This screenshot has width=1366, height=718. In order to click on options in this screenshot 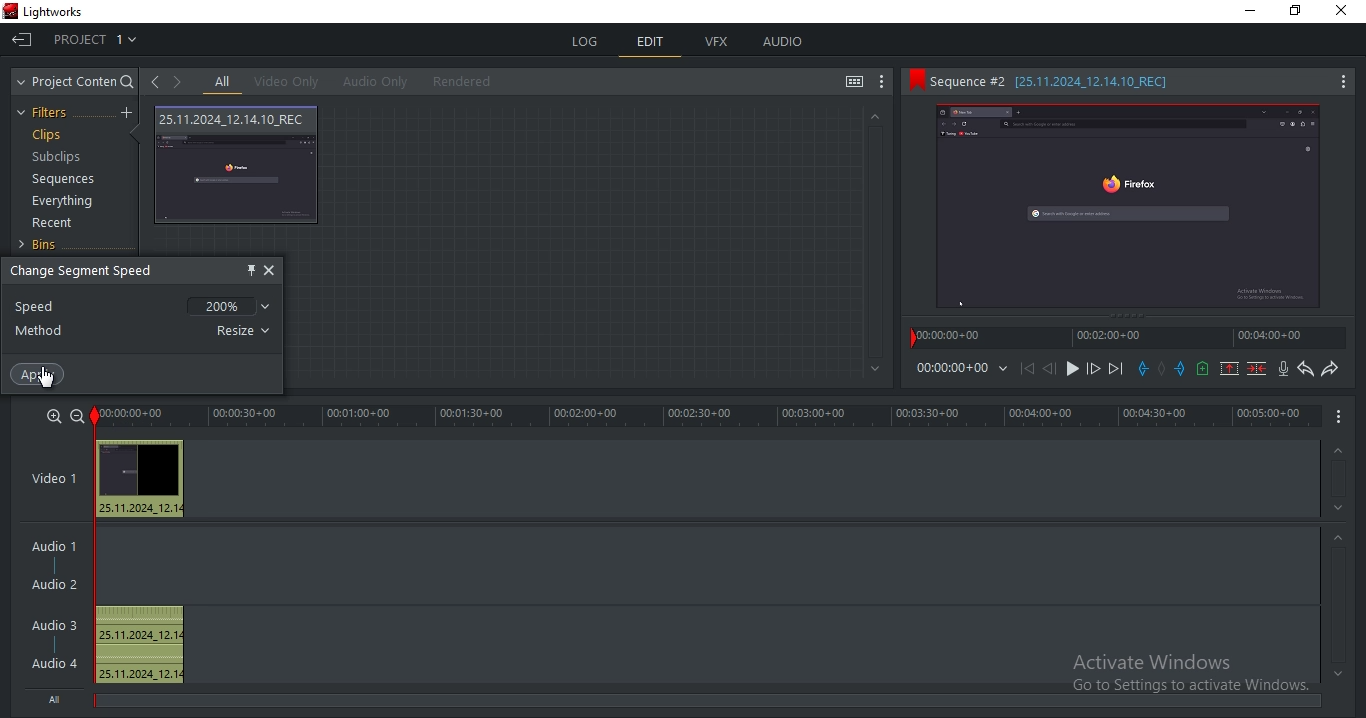, I will do `click(1337, 418)`.